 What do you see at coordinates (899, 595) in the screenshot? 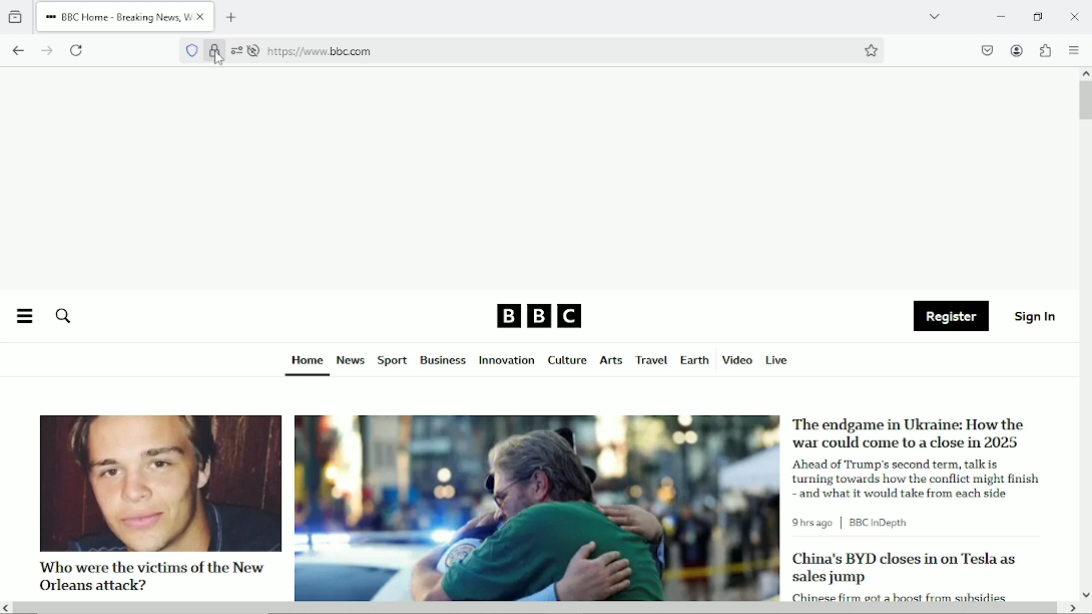
I see `Chinese firm got a boost from subsides` at bounding box center [899, 595].